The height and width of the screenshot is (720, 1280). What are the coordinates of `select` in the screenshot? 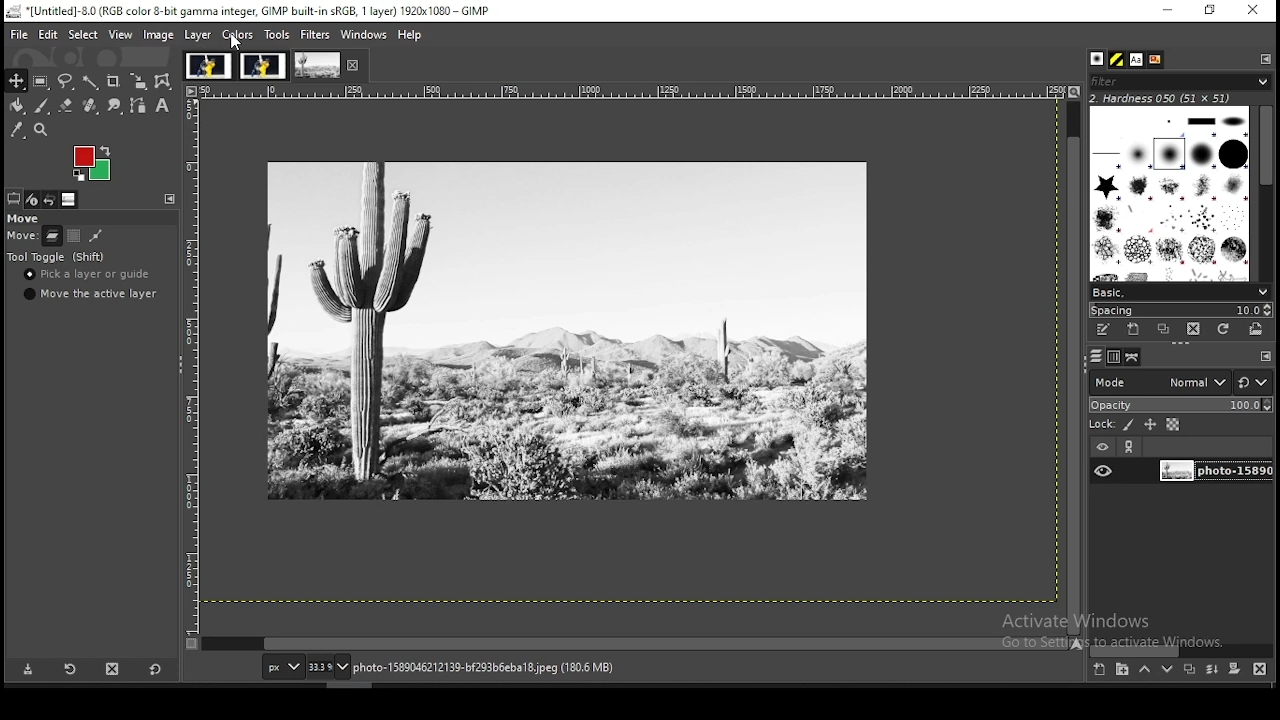 It's located at (84, 35).